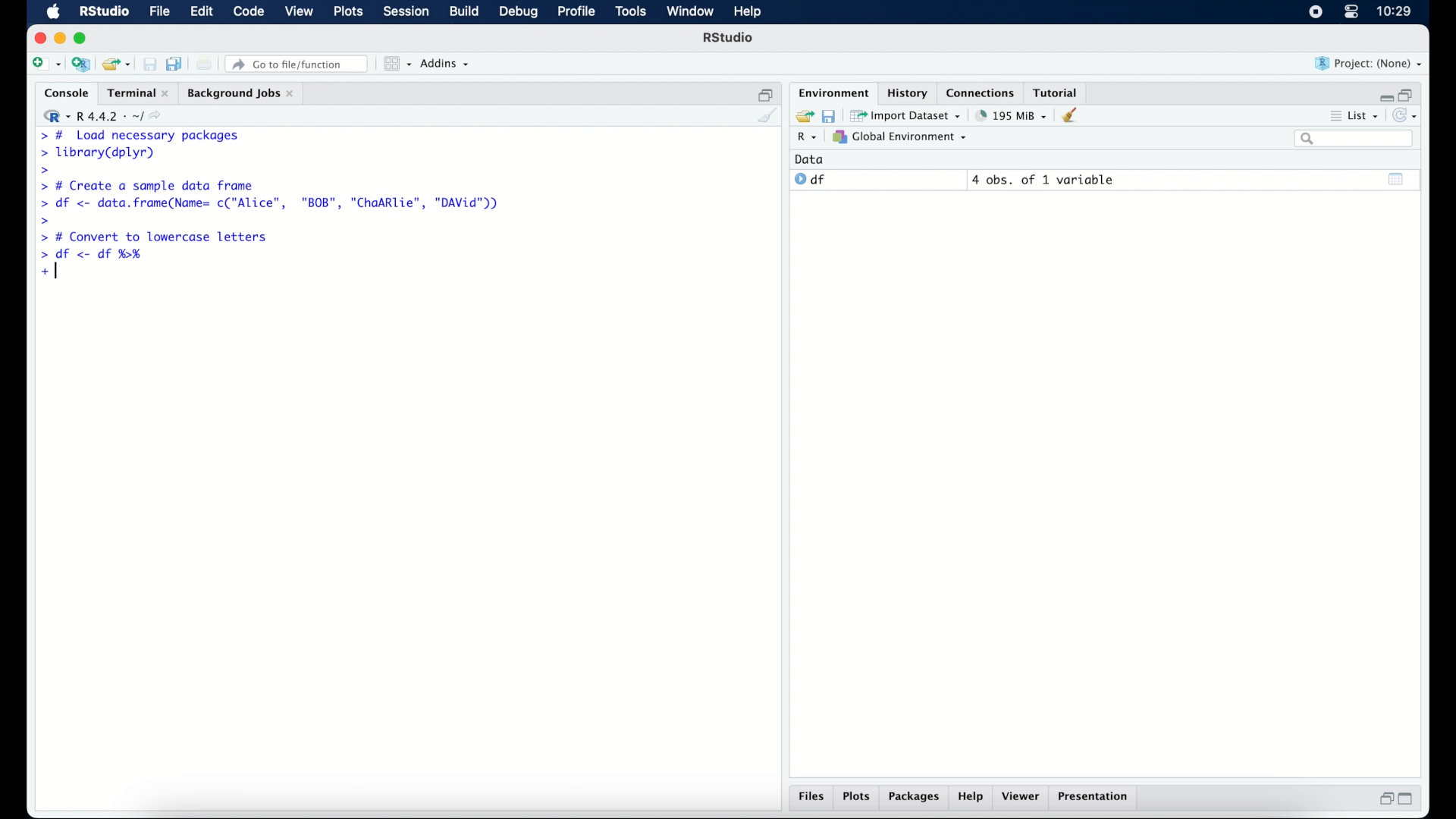 The width and height of the screenshot is (1456, 819). I want to click on search bar, so click(1353, 140).